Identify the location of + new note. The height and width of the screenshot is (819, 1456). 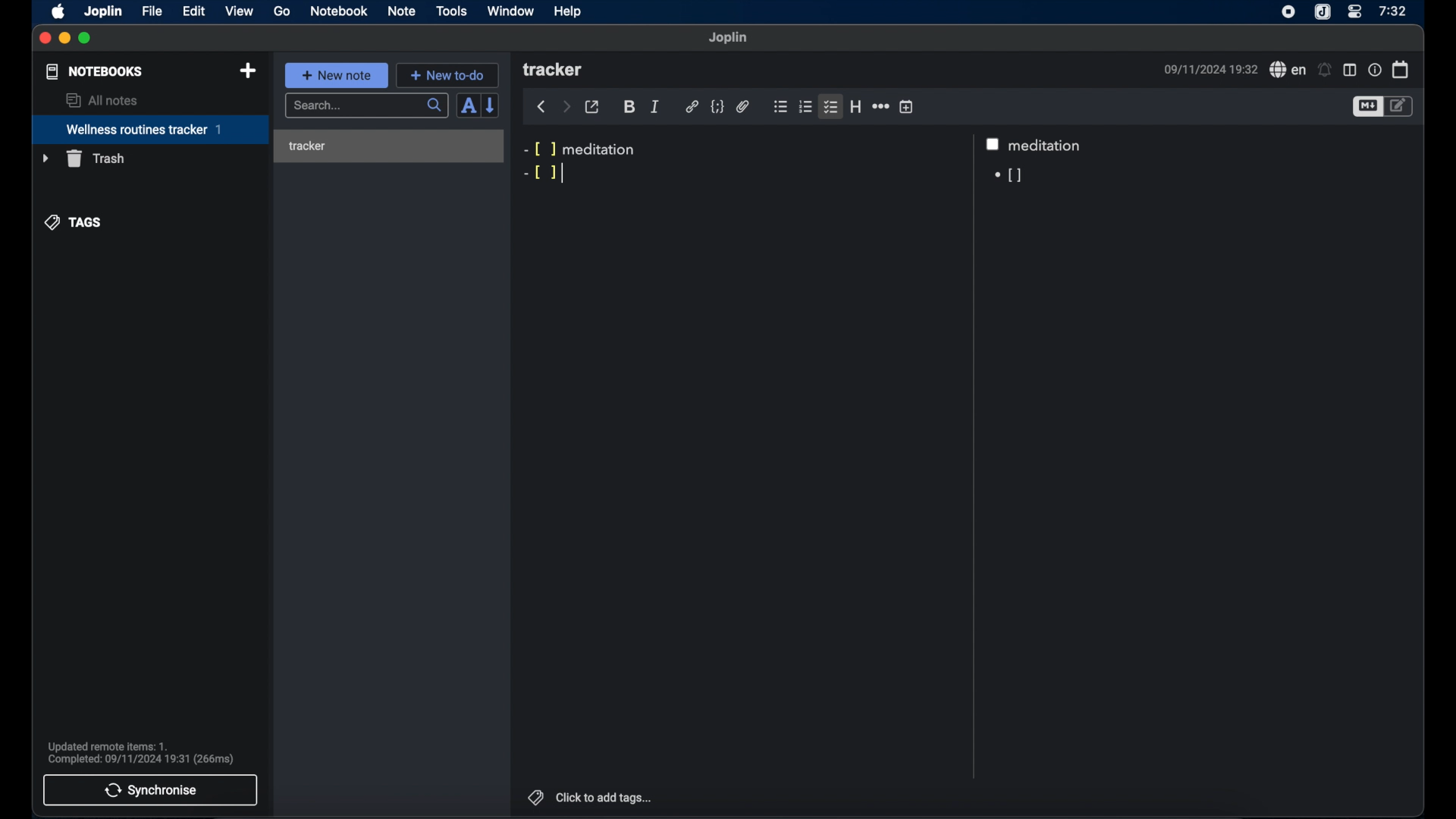
(337, 75).